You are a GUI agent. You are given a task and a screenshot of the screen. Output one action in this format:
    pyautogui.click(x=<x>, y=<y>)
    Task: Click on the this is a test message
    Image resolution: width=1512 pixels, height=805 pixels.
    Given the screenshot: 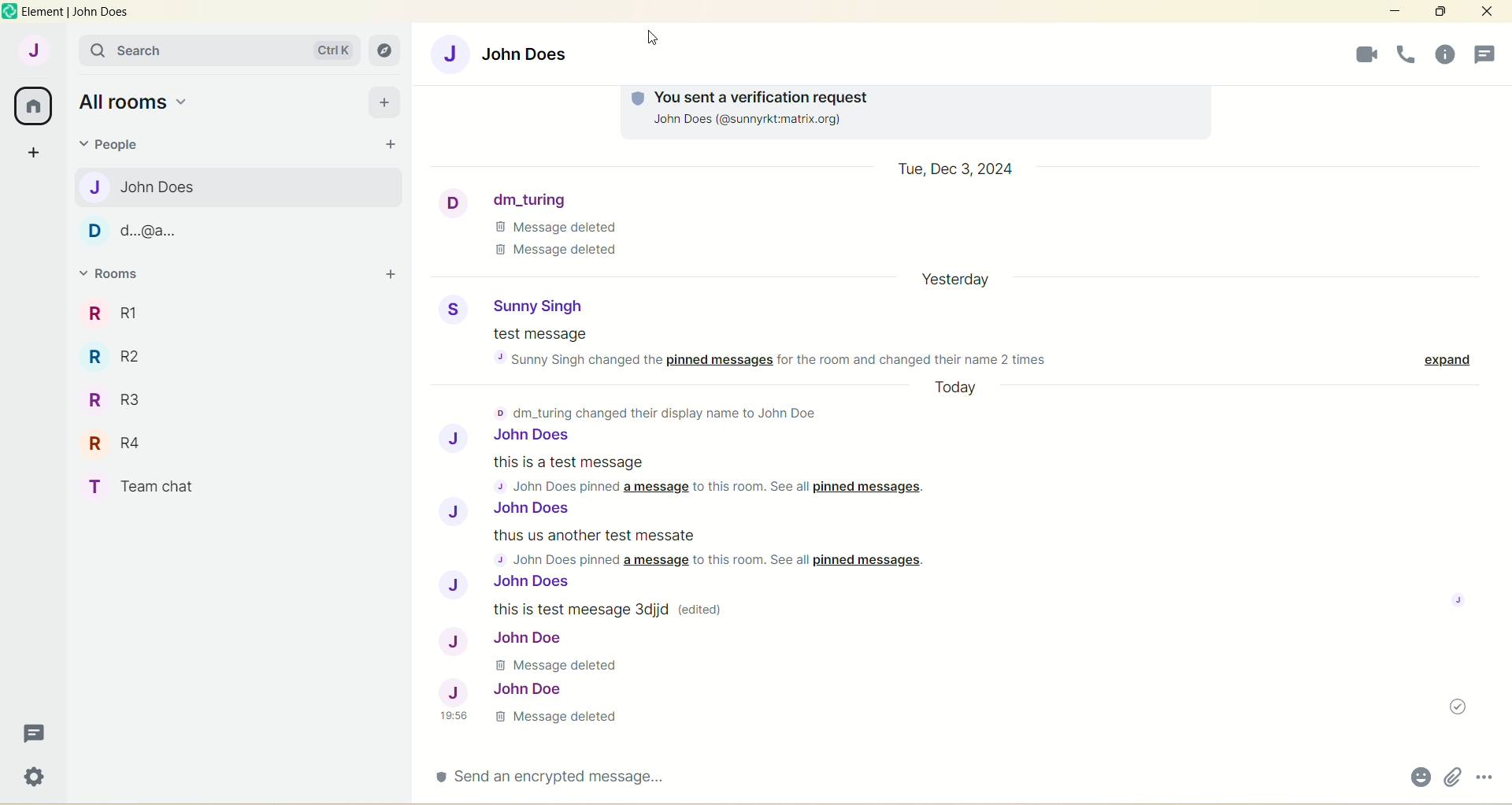 What is the action you would take?
    pyautogui.click(x=724, y=476)
    